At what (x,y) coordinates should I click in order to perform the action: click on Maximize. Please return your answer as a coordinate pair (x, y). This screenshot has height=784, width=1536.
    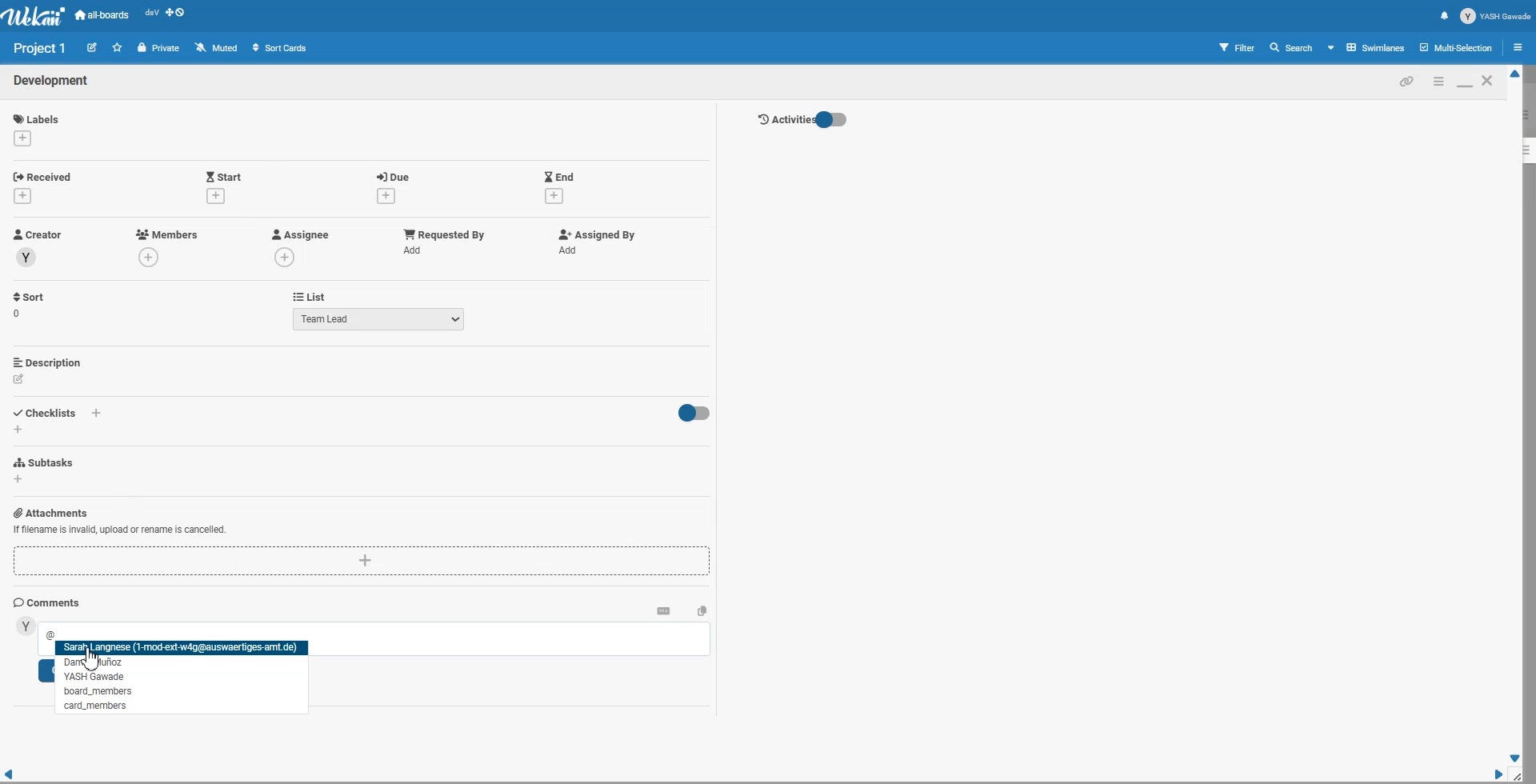
    Looking at the image, I should click on (1464, 81).